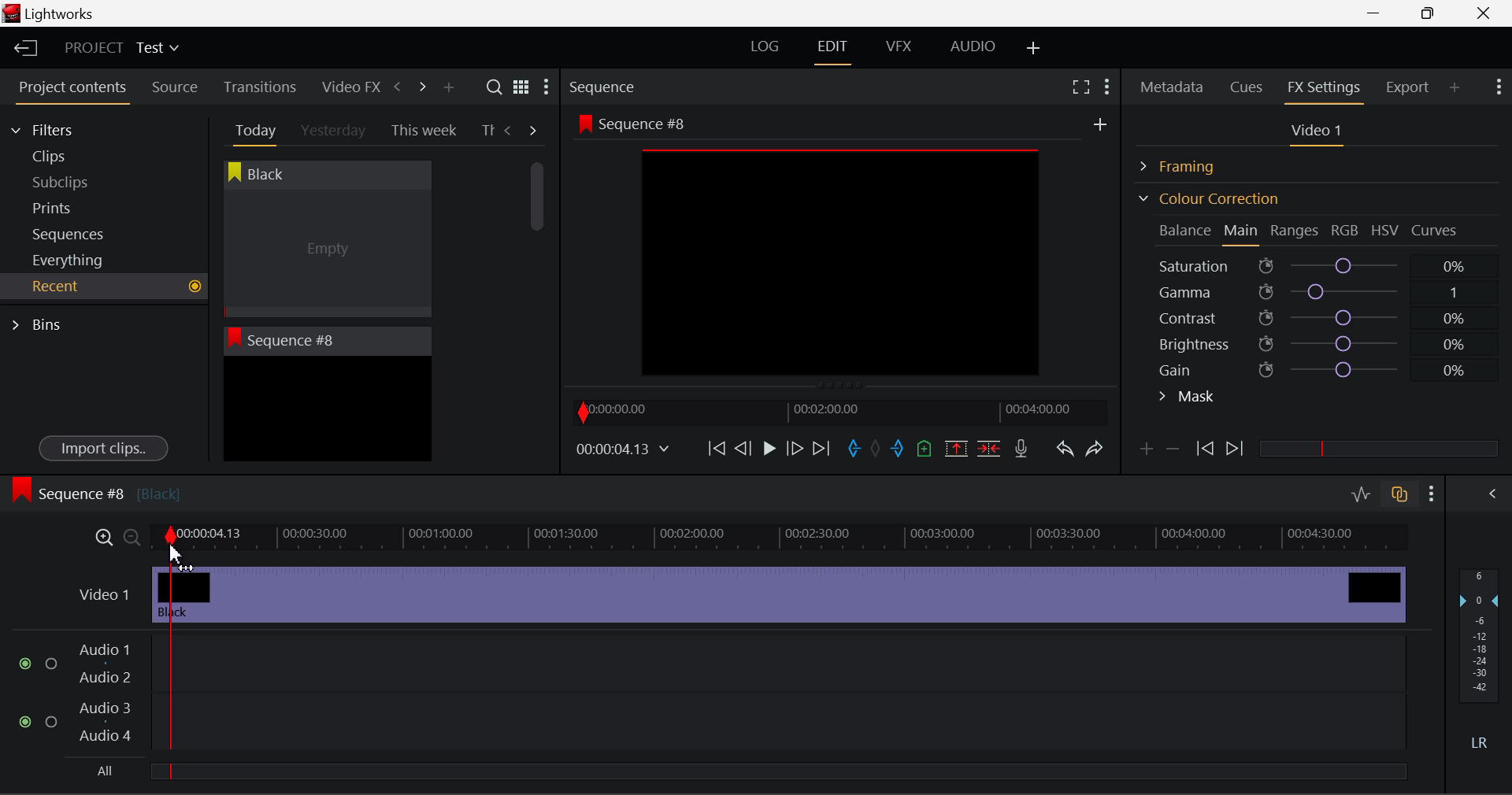 The width and height of the screenshot is (1512, 795). Describe the element at coordinates (877, 450) in the screenshot. I see `Remove All Marks` at that location.